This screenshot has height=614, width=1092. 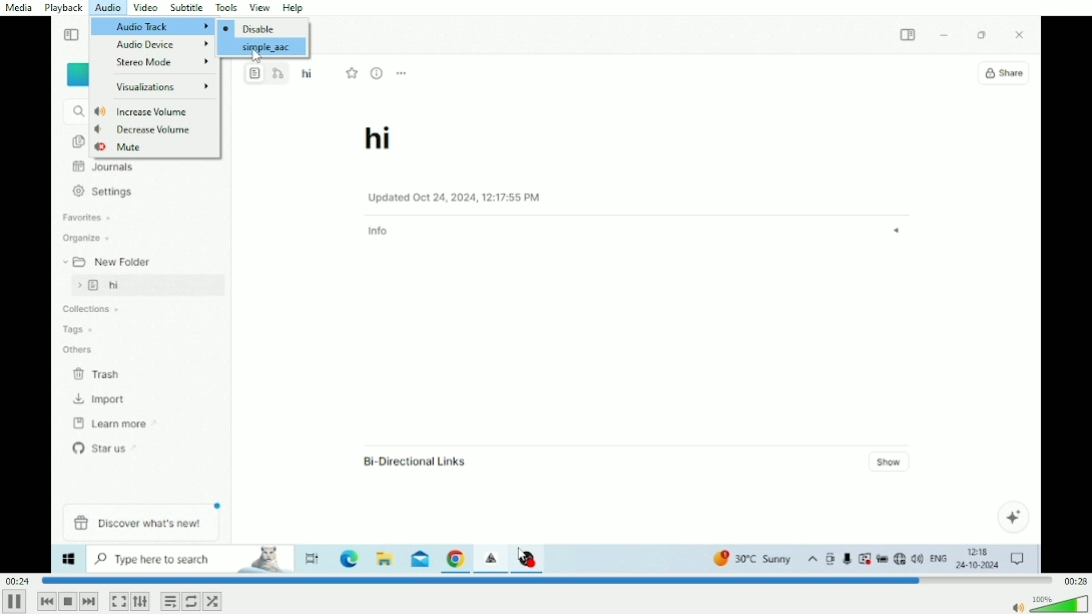 I want to click on View, so click(x=261, y=7).